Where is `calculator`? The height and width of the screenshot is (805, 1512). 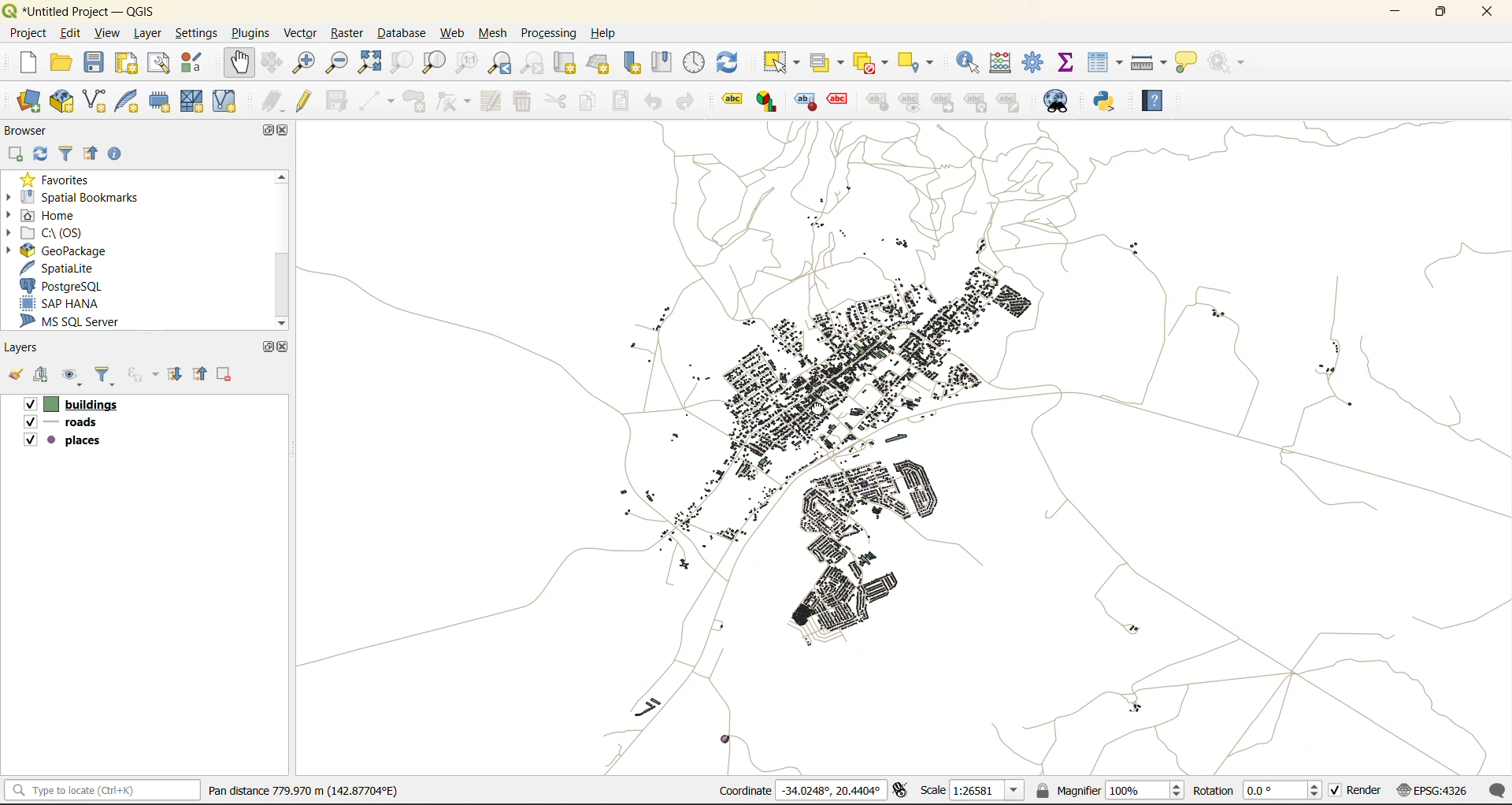
calculator is located at coordinates (1002, 63).